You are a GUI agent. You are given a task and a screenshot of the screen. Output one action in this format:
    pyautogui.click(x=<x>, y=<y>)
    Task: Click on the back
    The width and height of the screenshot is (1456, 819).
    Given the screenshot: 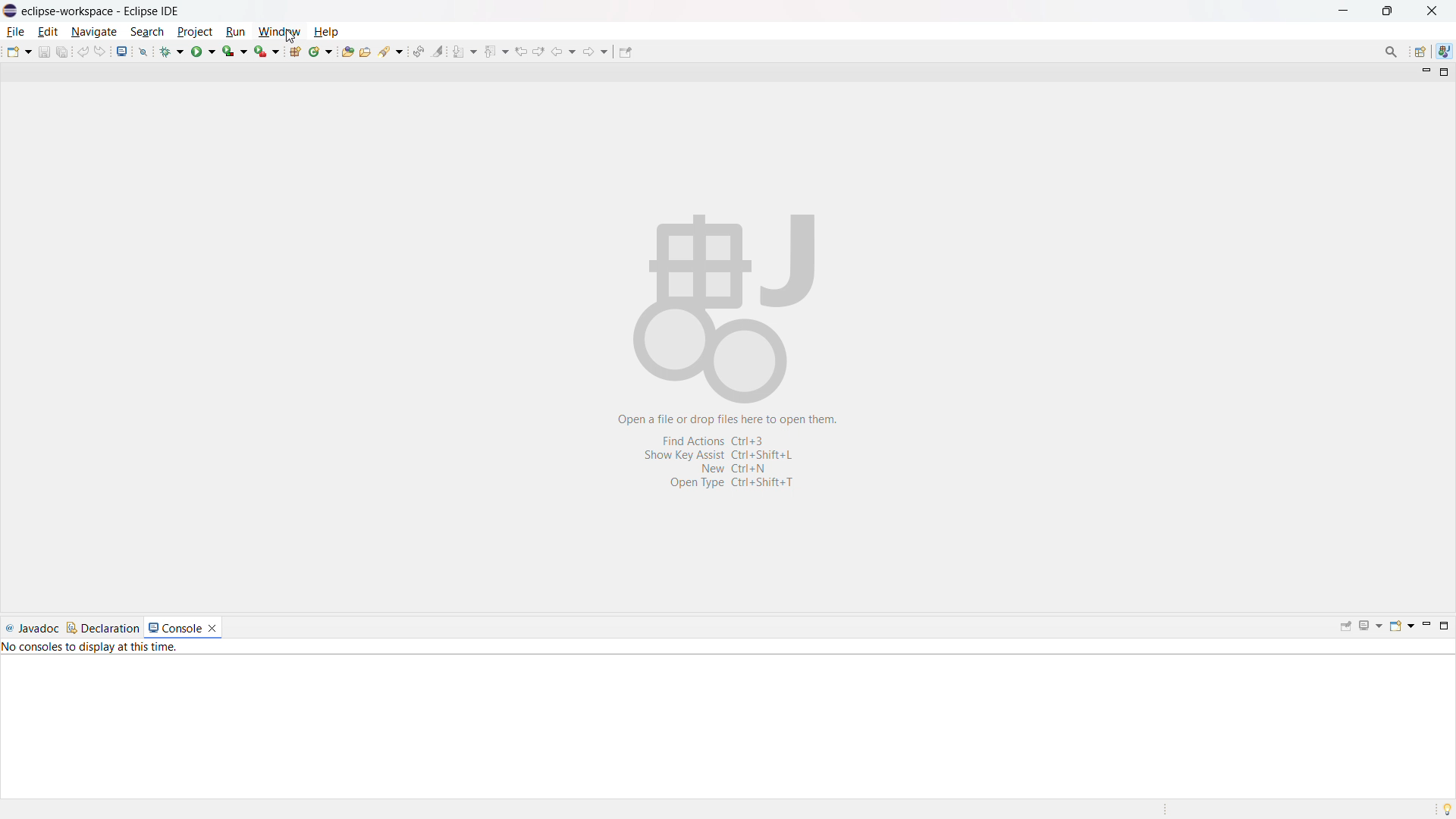 What is the action you would take?
    pyautogui.click(x=565, y=50)
    